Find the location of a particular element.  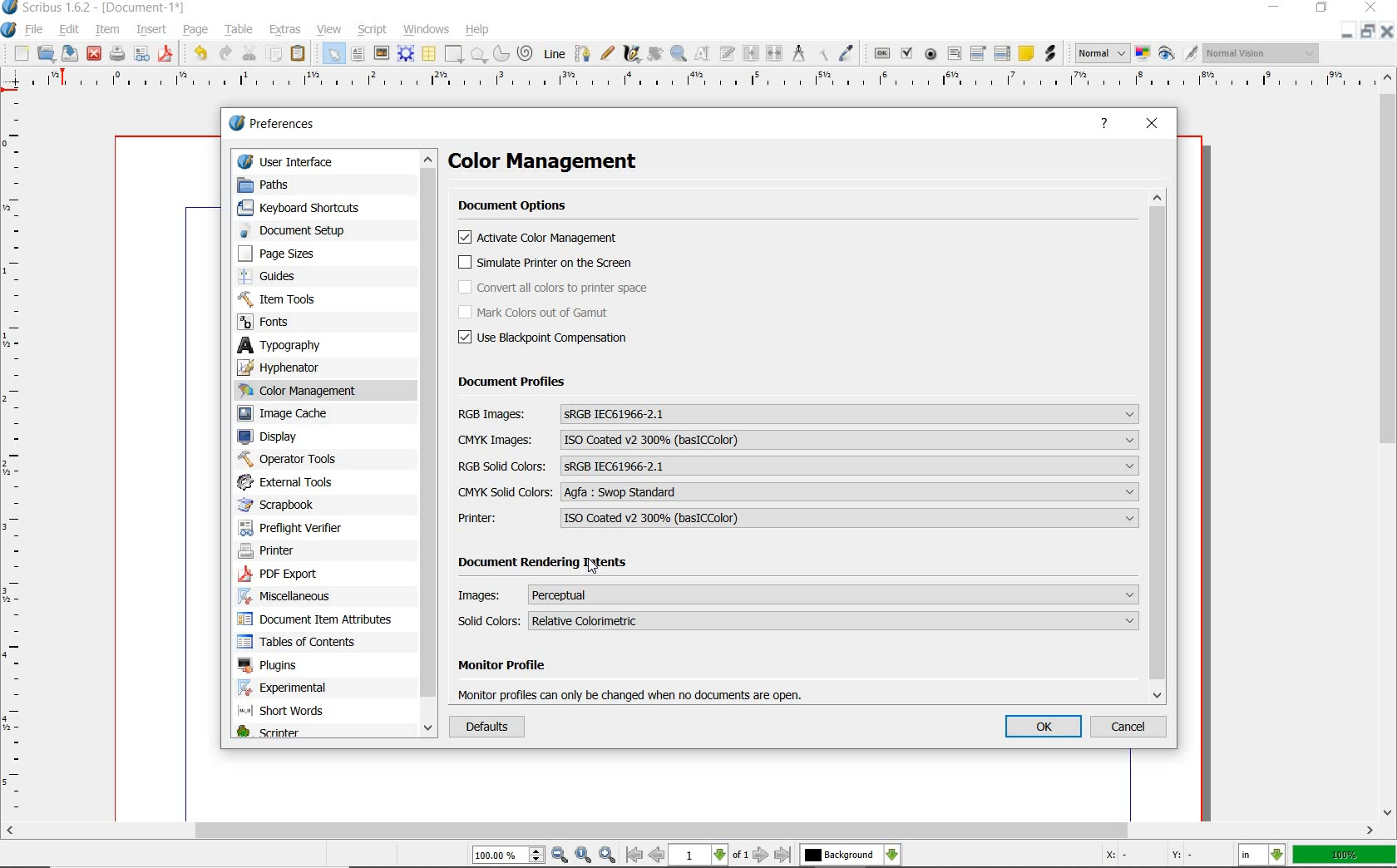

text annotation is located at coordinates (1025, 54).